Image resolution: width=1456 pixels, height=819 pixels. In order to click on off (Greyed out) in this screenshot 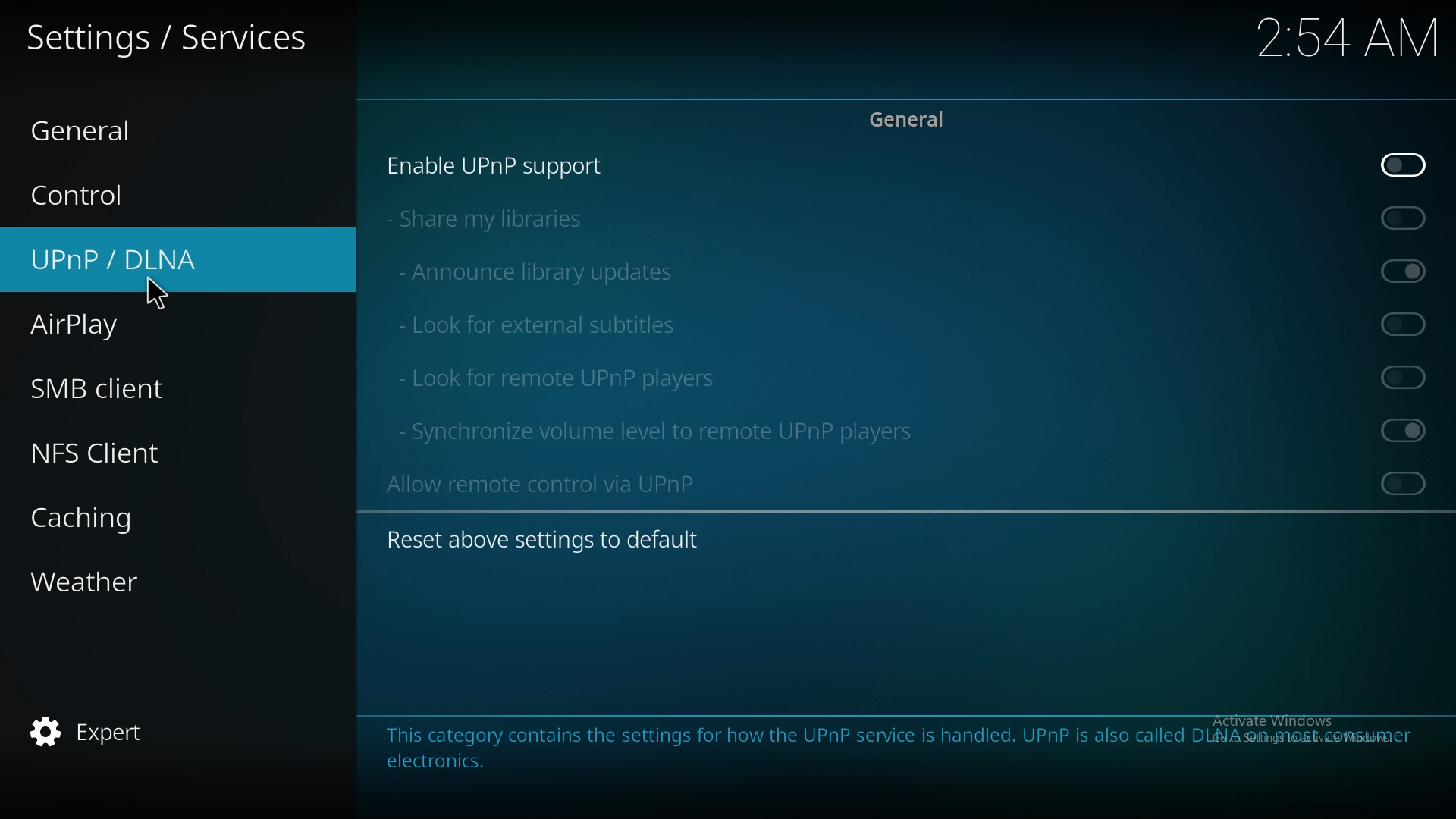, I will do `click(1404, 483)`.